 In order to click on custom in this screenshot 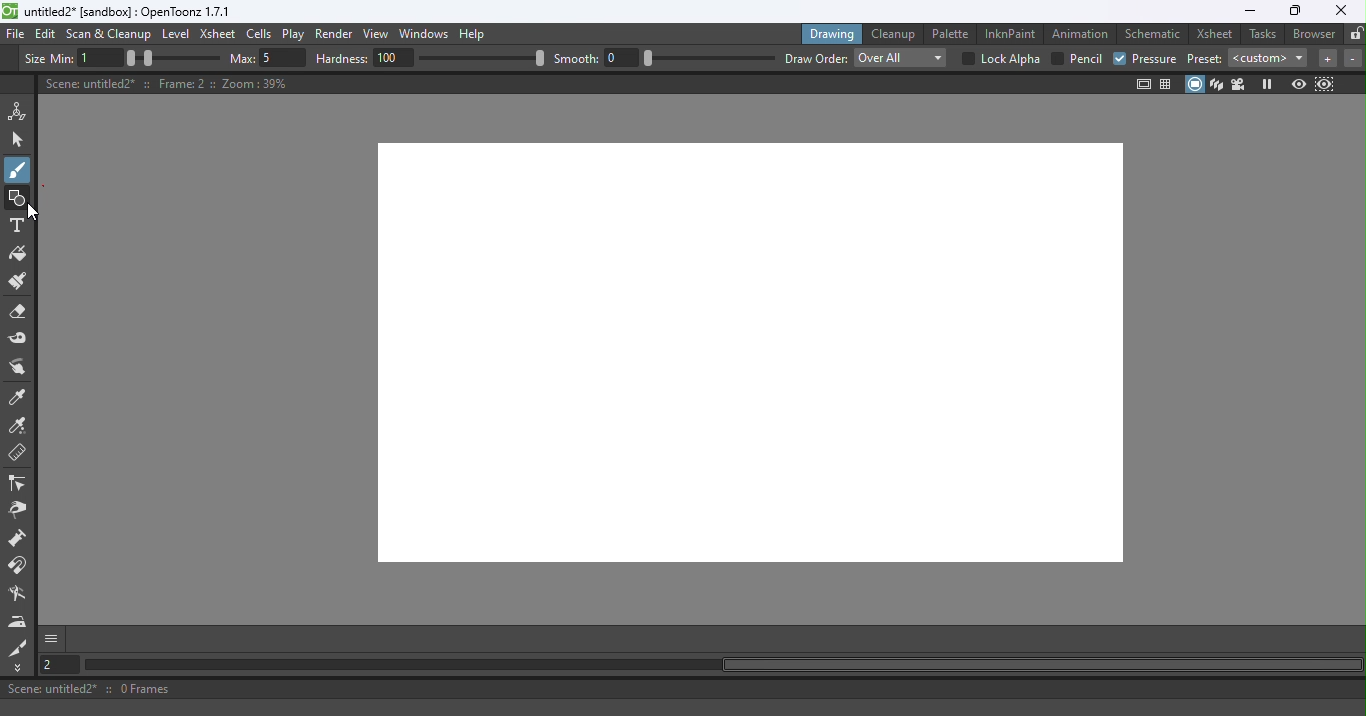, I will do `click(1270, 58)`.